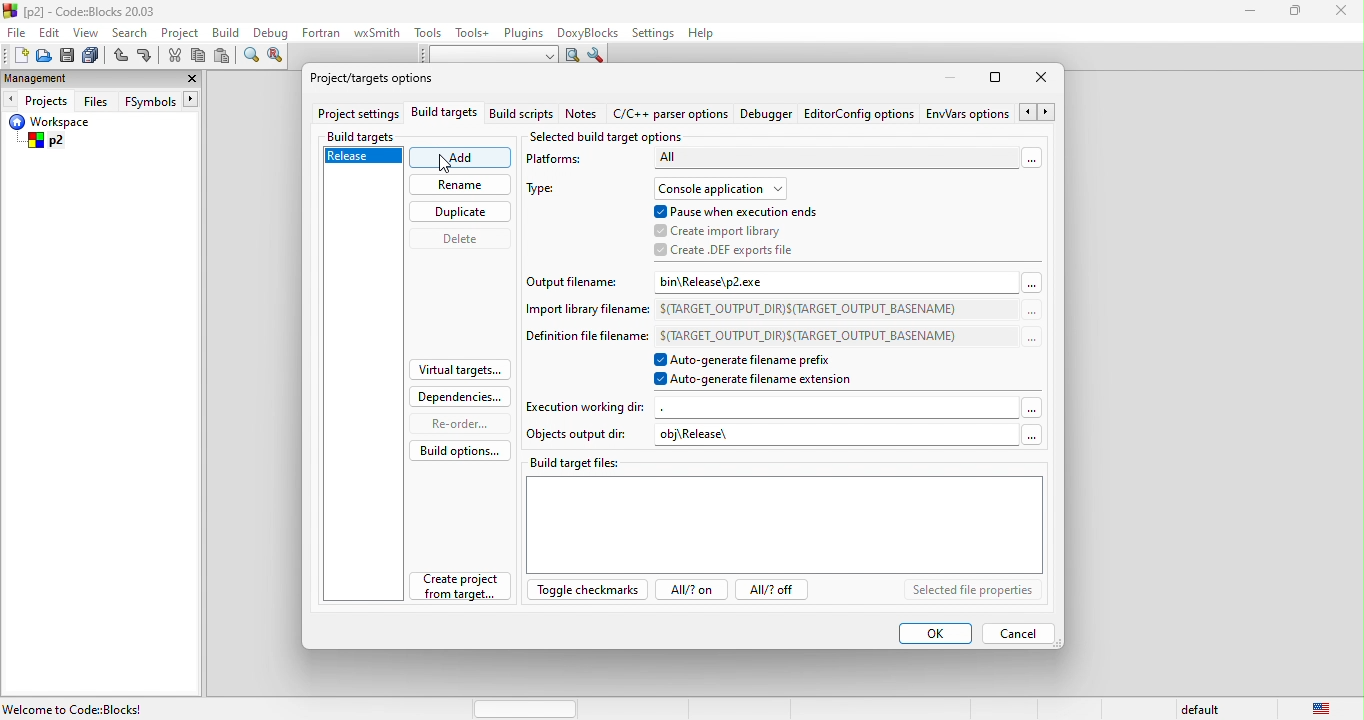  I want to click on ok, so click(932, 631).